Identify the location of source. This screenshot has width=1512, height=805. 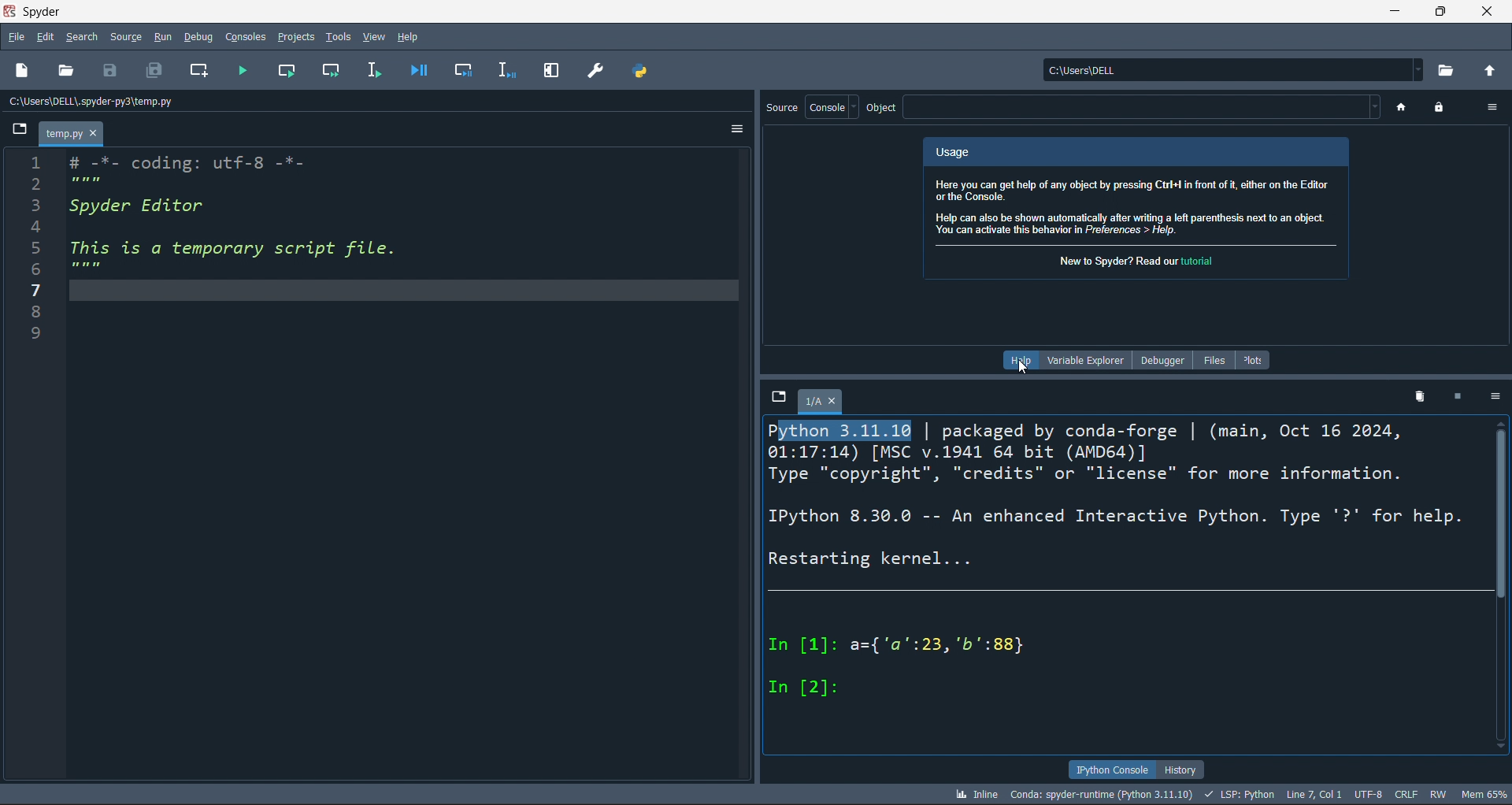
(123, 35).